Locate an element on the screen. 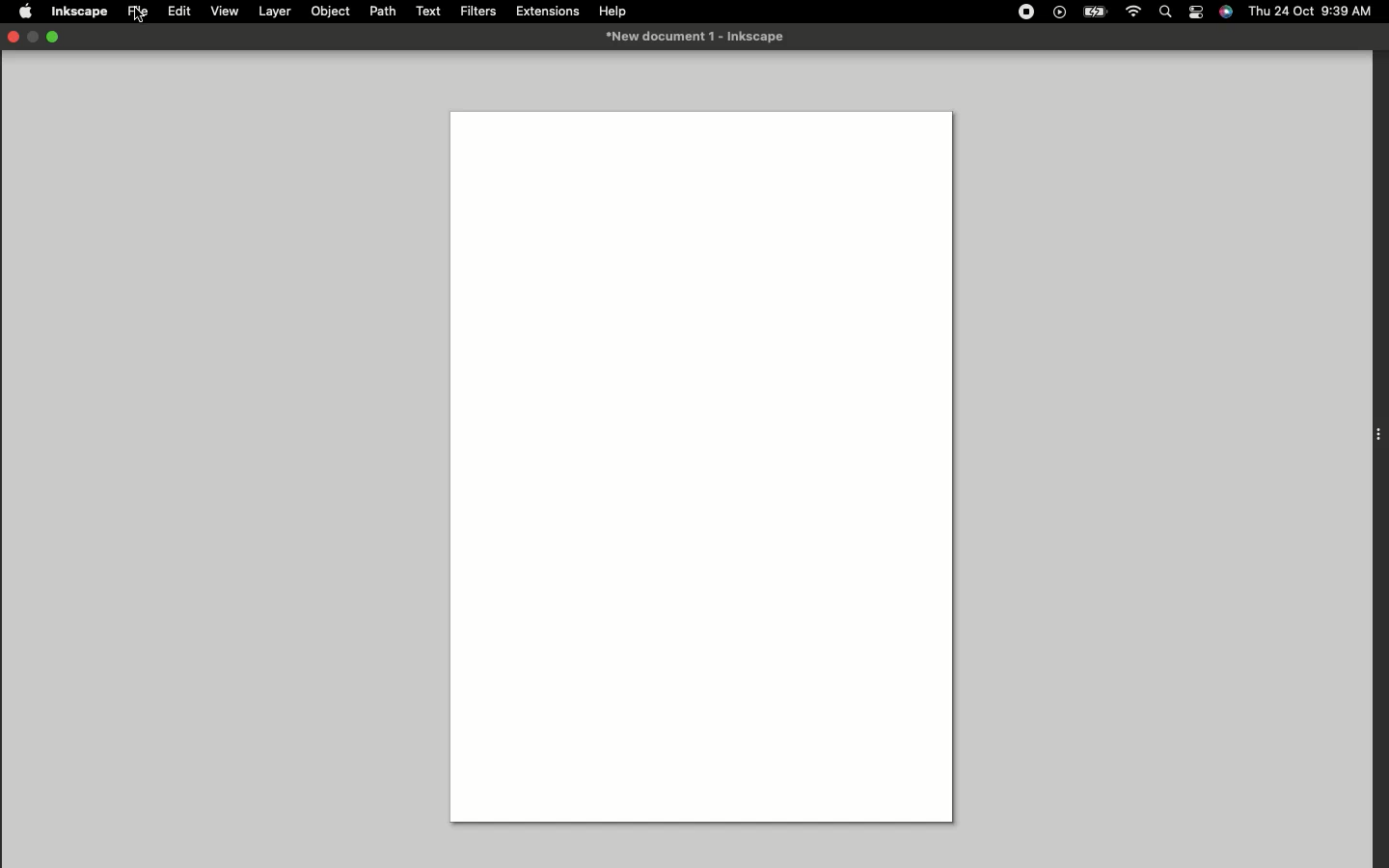 The width and height of the screenshot is (1389, 868). Layer is located at coordinates (277, 11).